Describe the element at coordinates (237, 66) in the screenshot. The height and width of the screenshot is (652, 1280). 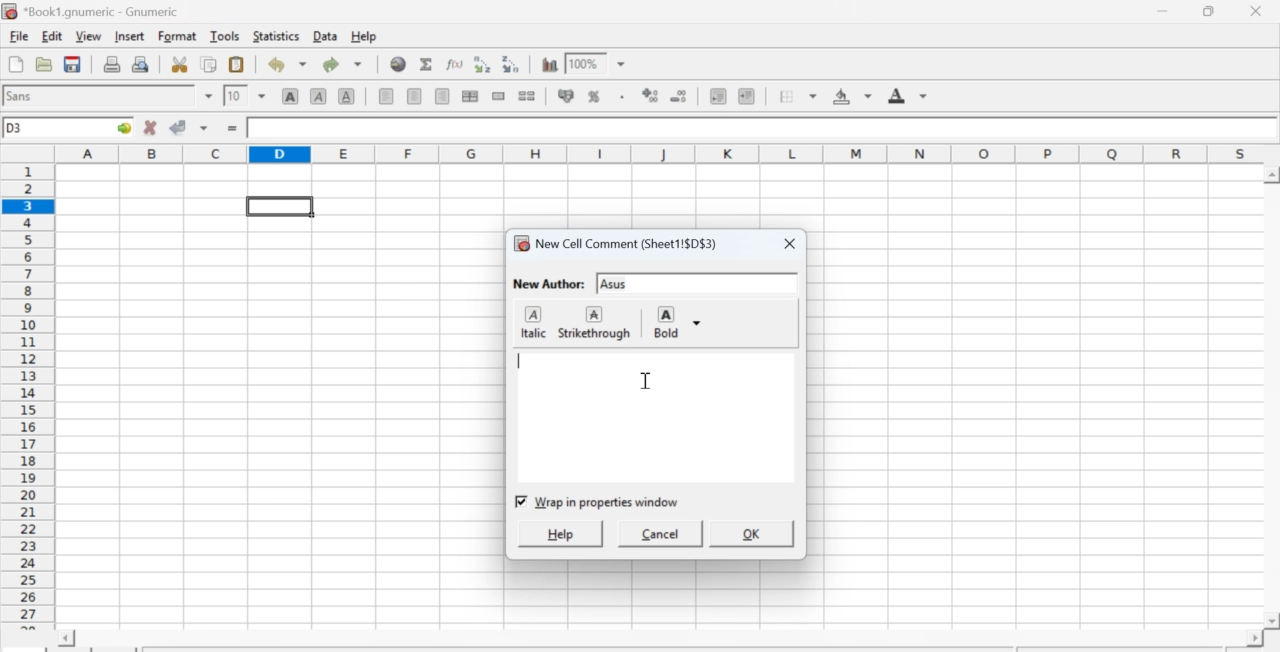
I see `Paste` at that location.